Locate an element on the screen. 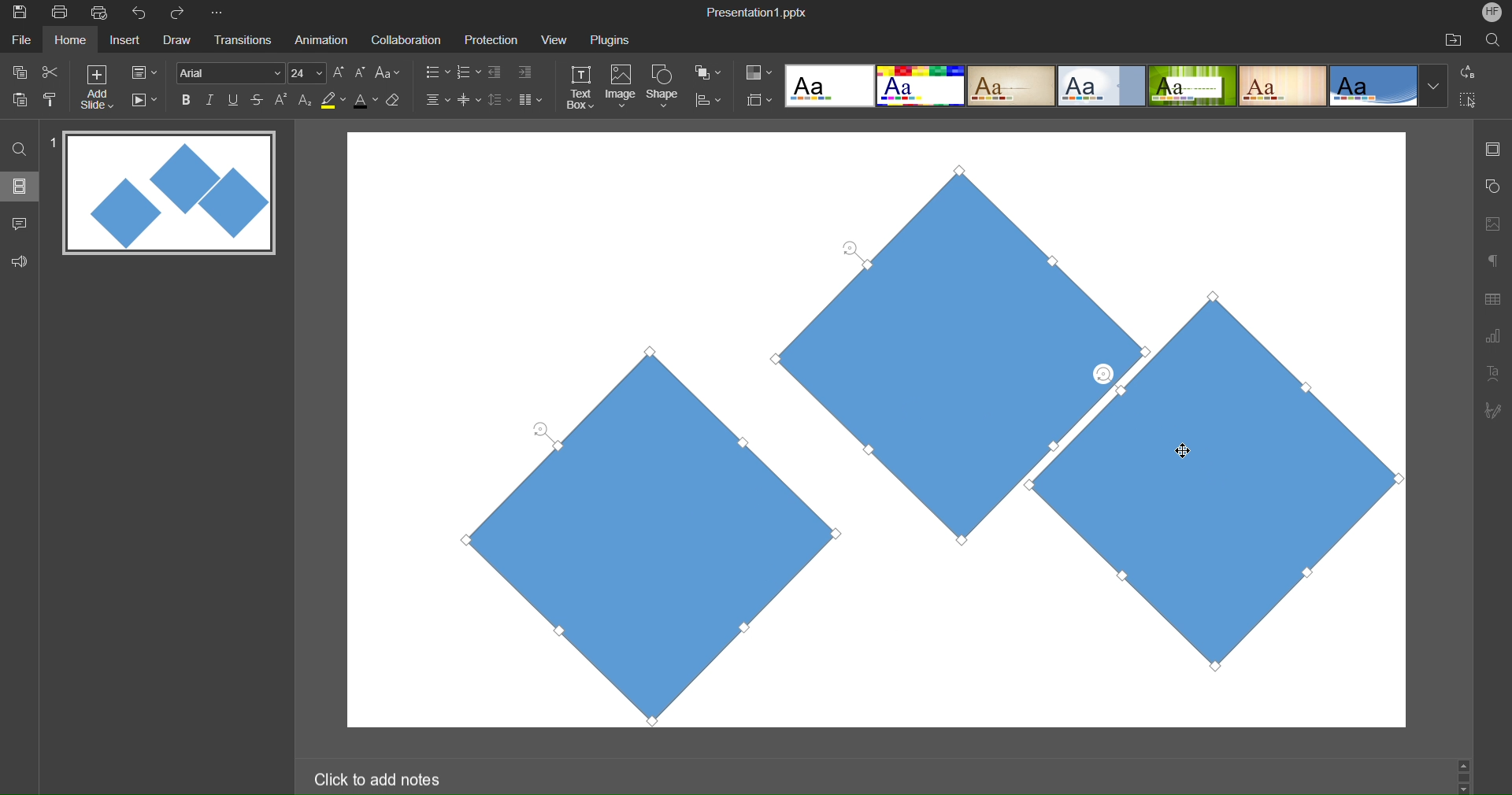 The image size is (1512, 795). Bullet List is located at coordinates (436, 73).